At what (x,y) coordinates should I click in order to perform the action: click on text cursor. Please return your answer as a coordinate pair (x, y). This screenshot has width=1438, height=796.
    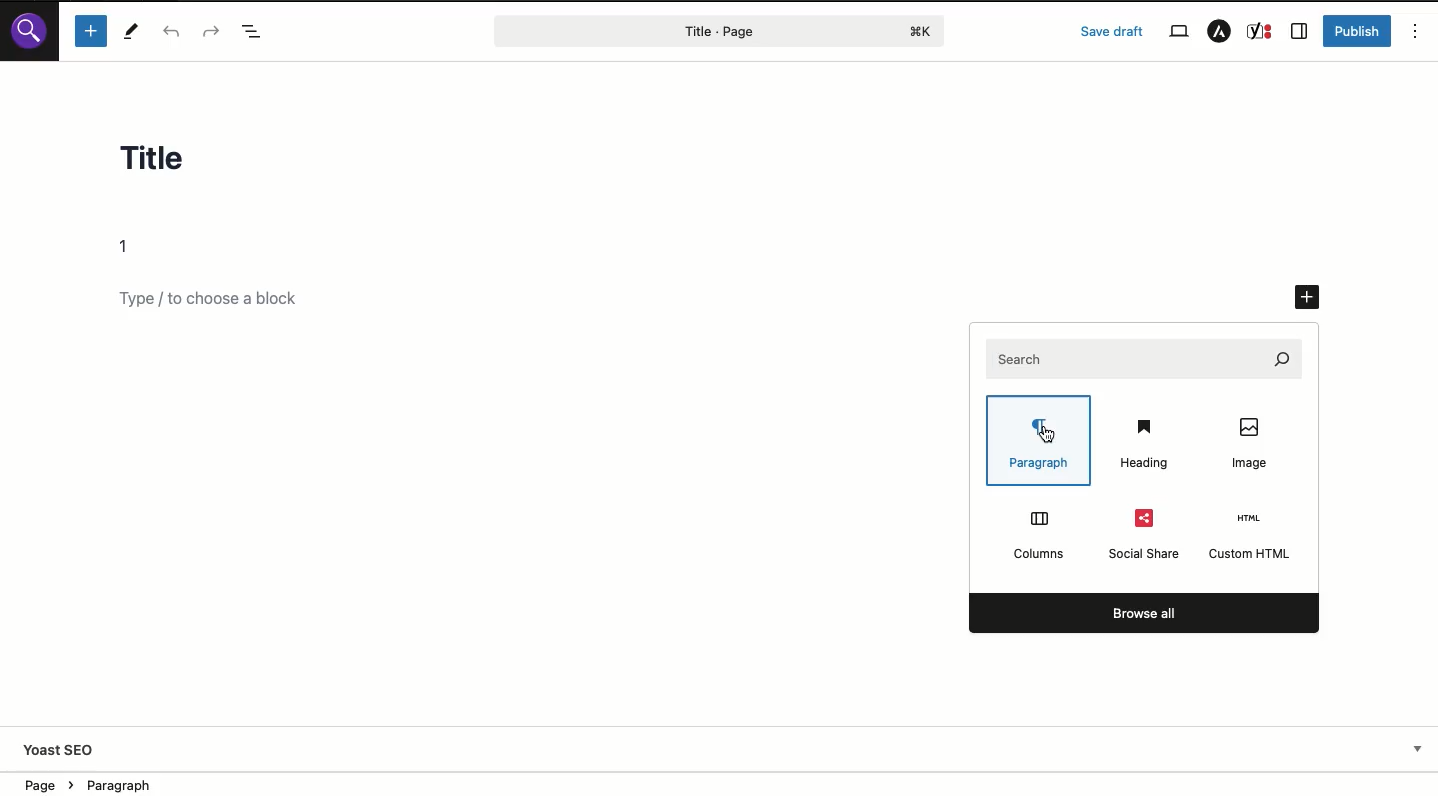
    Looking at the image, I should click on (1046, 434).